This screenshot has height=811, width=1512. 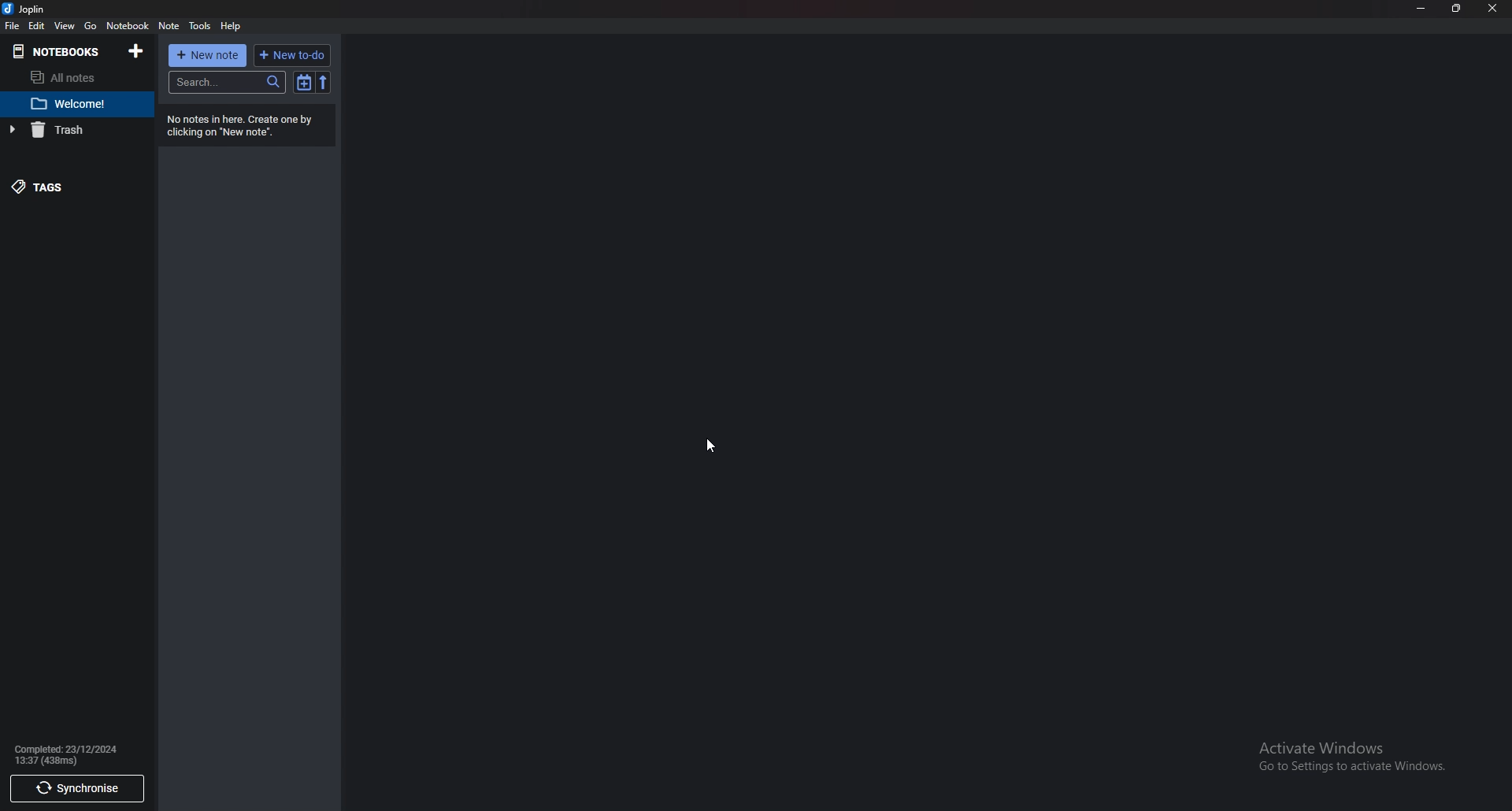 What do you see at coordinates (303, 83) in the screenshot?
I see `Toggle sort order` at bounding box center [303, 83].